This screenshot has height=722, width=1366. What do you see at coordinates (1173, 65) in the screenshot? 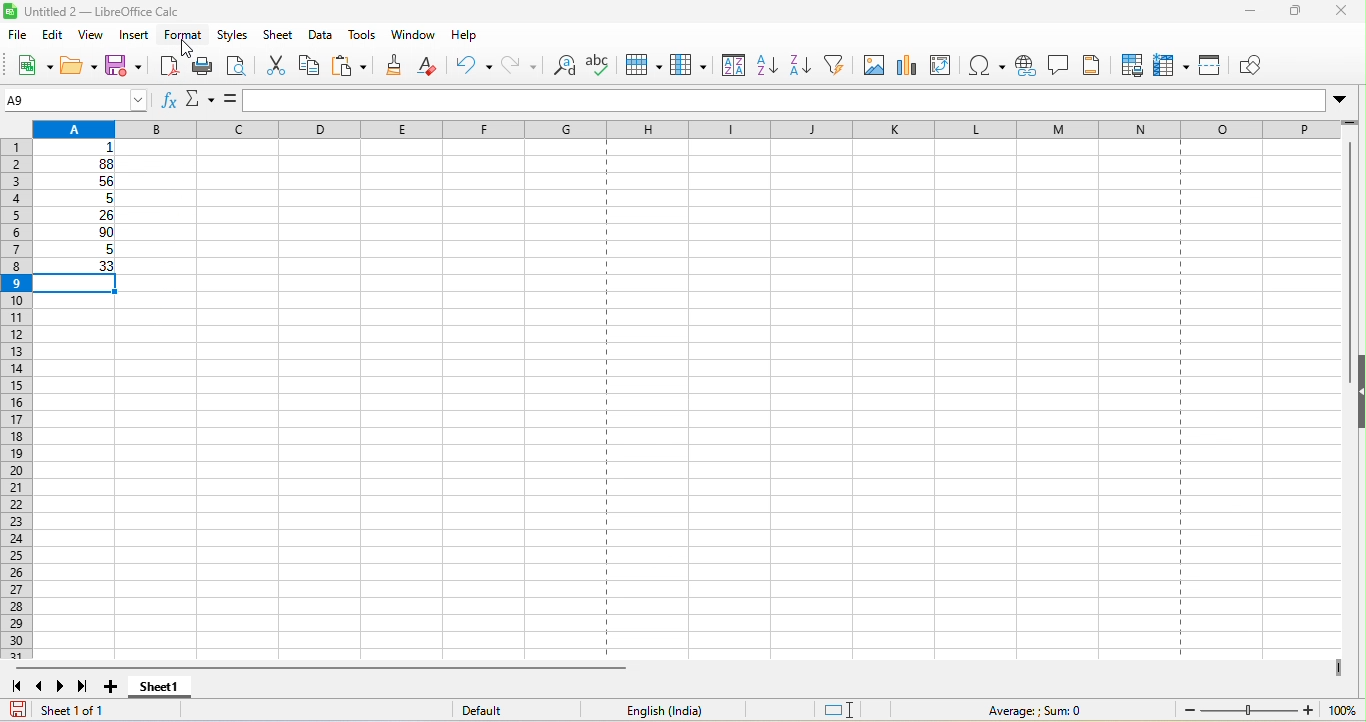
I see `freeze rows and column` at bounding box center [1173, 65].